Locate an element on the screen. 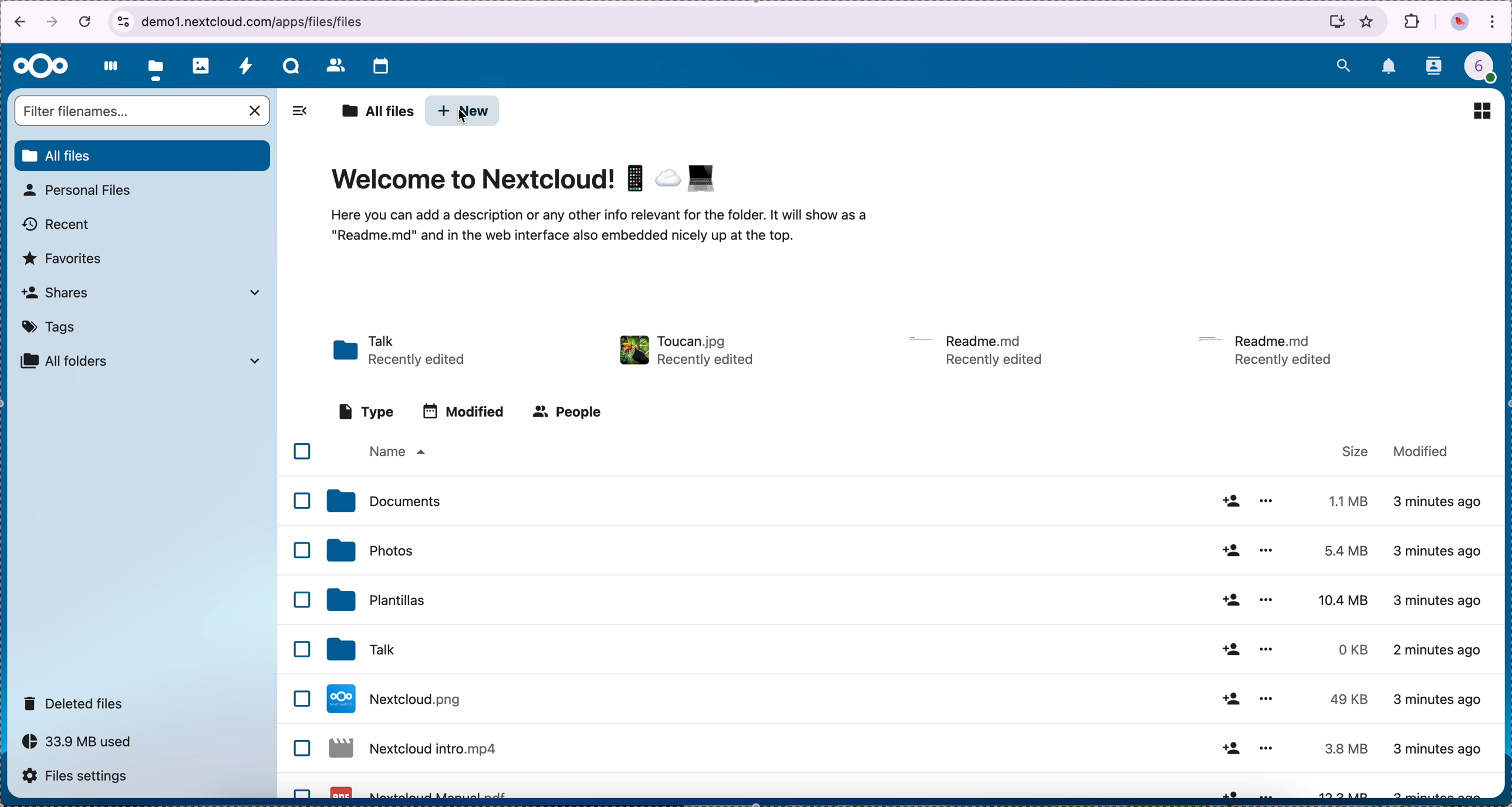 This screenshot has width=1512, height=807. 5.4 MB is located at coordinates (1337, 551).